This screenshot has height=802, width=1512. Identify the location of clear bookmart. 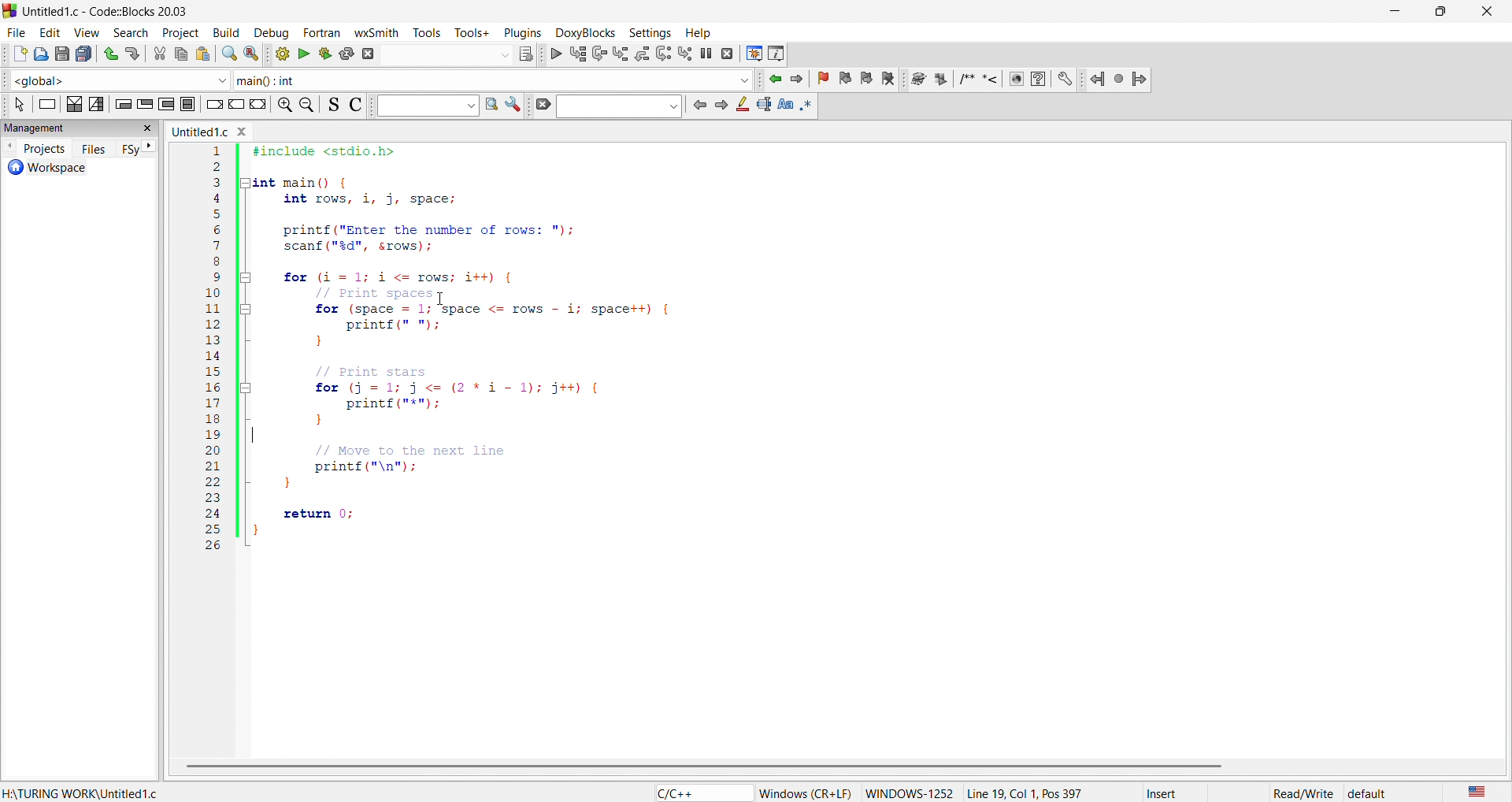
(891, 80).